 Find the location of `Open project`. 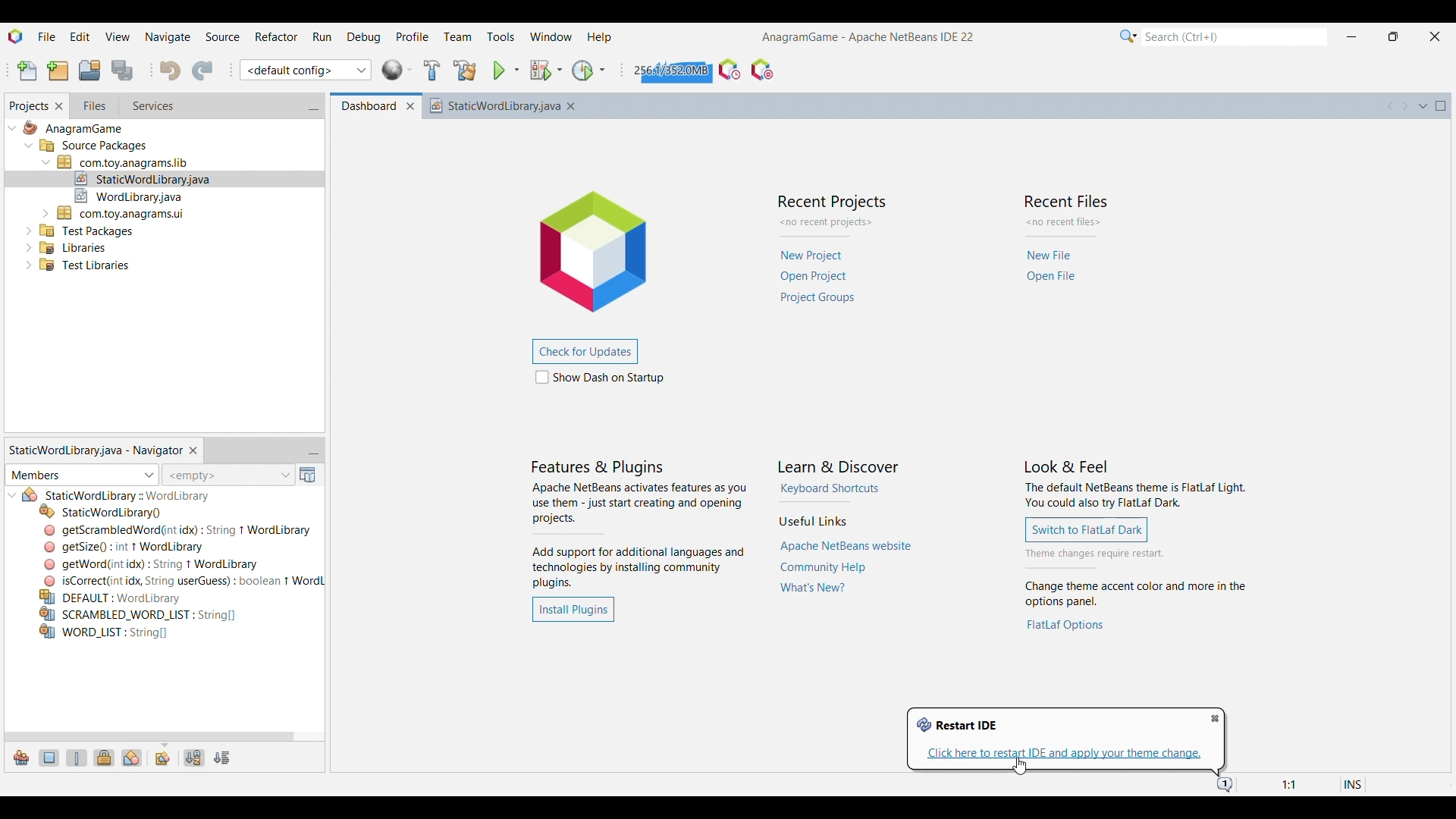

Open project is located at coordinates (89, 70).